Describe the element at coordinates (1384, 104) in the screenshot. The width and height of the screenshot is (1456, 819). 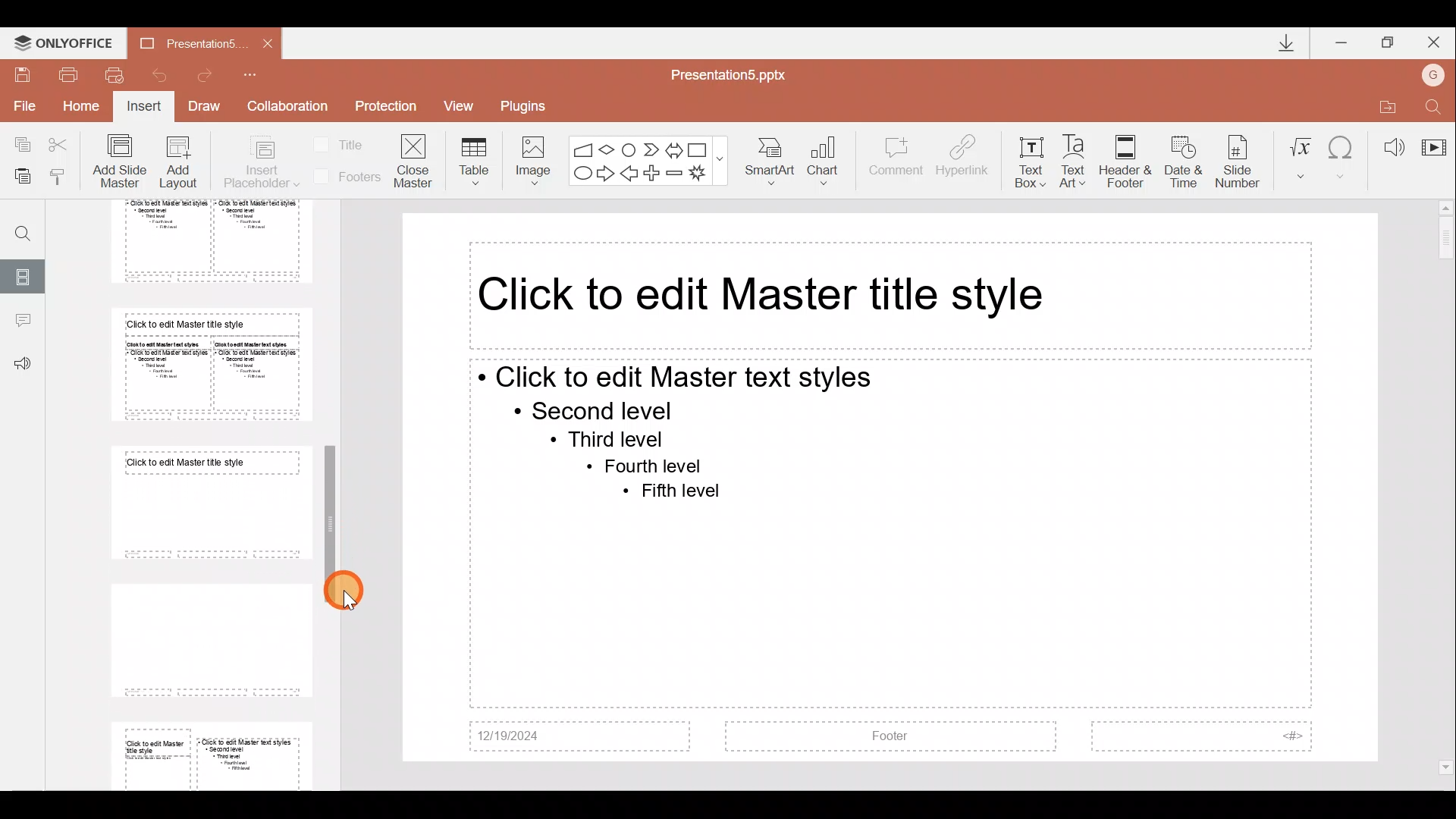
I see `Open file location` at that location.